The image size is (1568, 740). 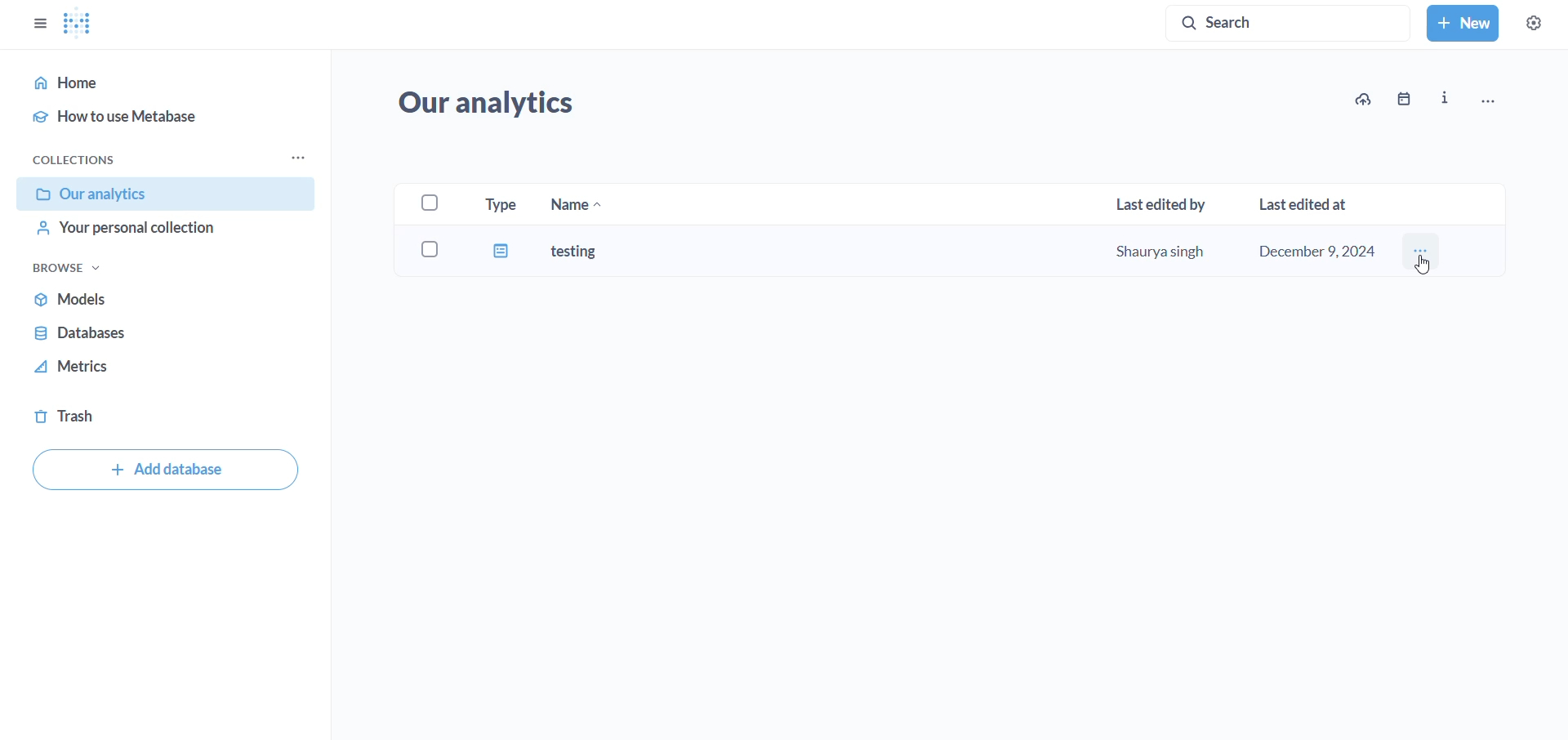 What do you see at coordinates (597, 250) in the screenshot?
I see `testing dashboard` at bounding box center [597, 250].